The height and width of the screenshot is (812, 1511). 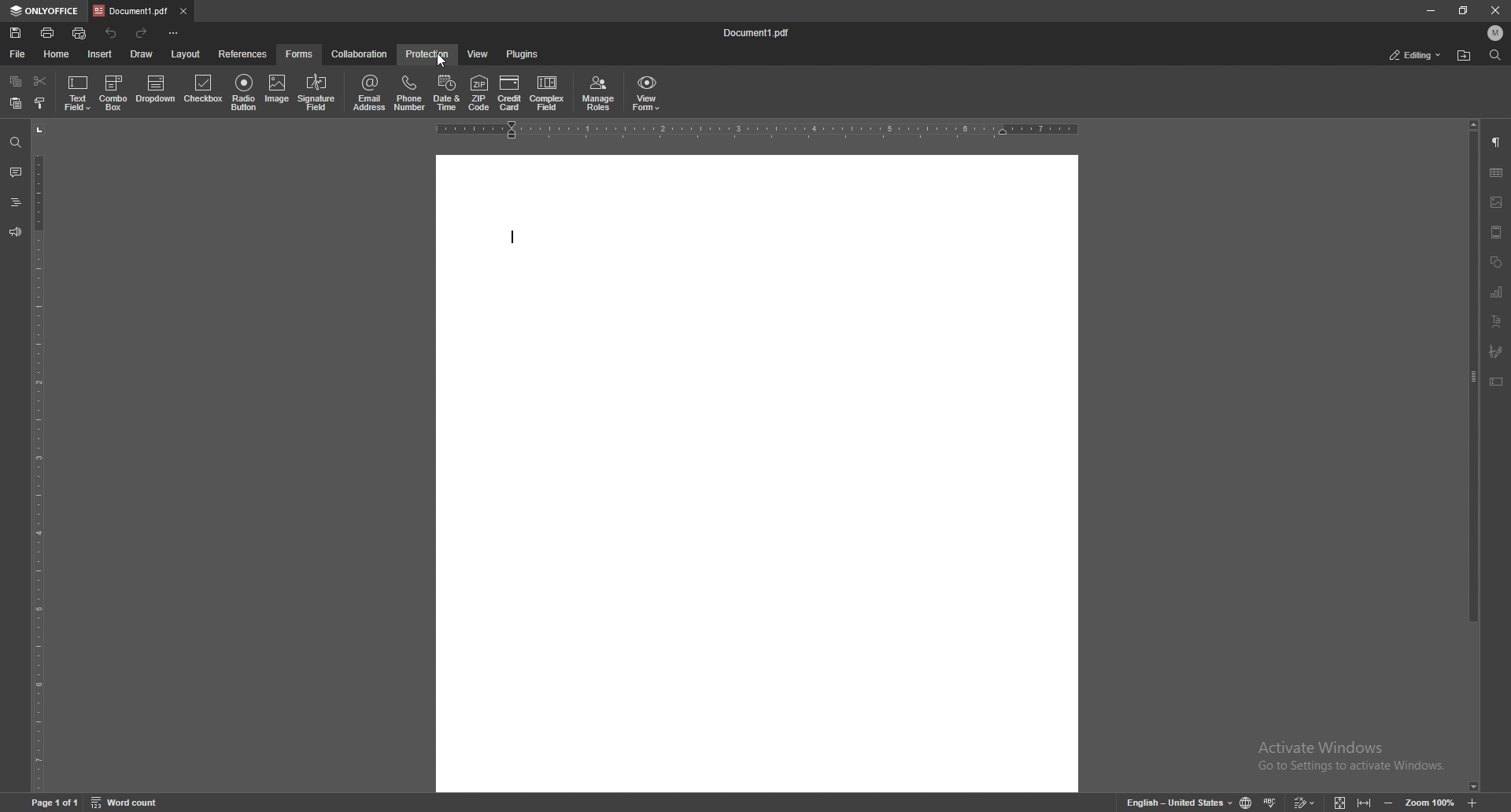 I want to click on shapes, so click(x=1496, y=262).